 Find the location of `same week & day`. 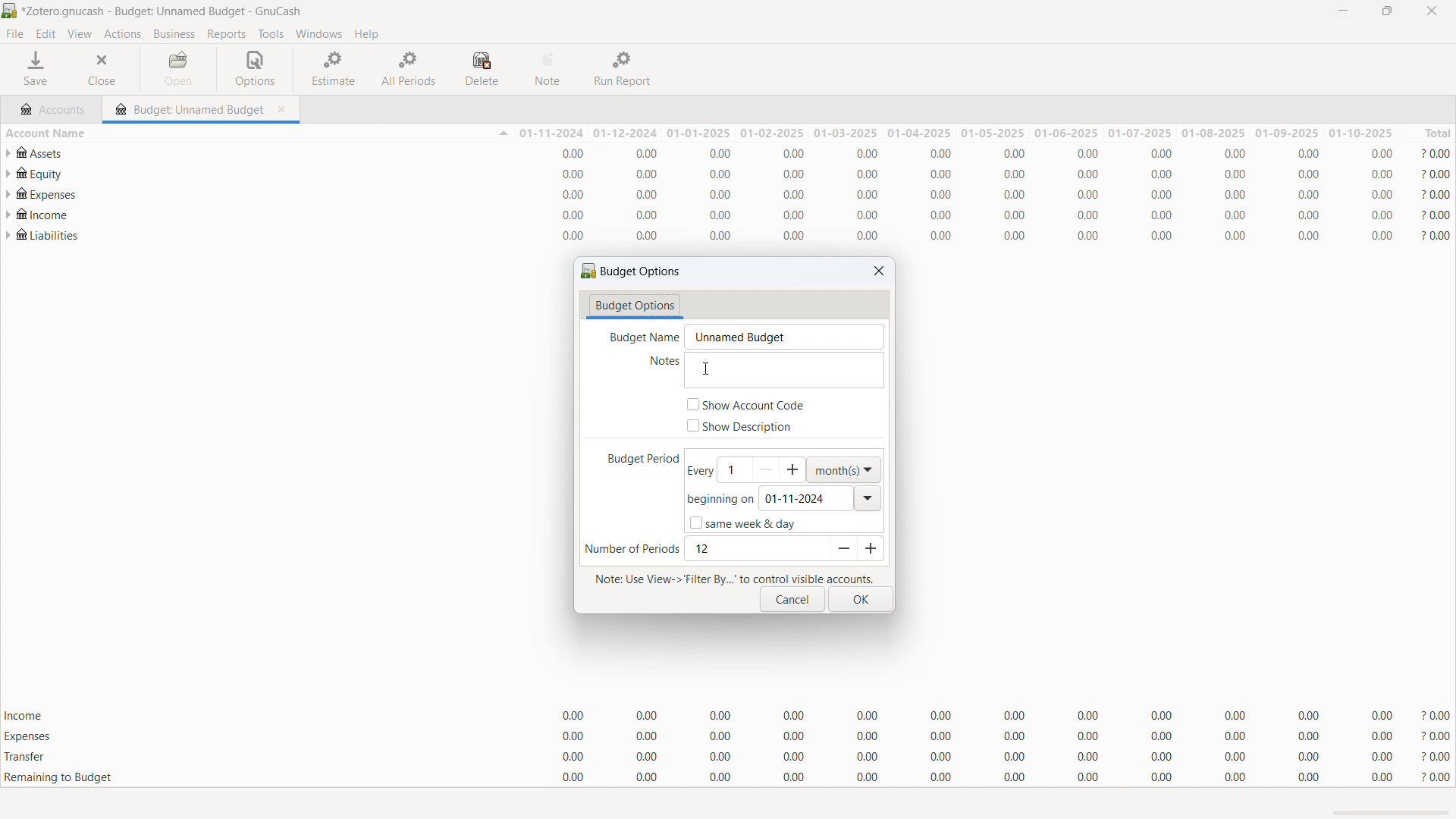

same week & day is located at coordinates (742, 522).